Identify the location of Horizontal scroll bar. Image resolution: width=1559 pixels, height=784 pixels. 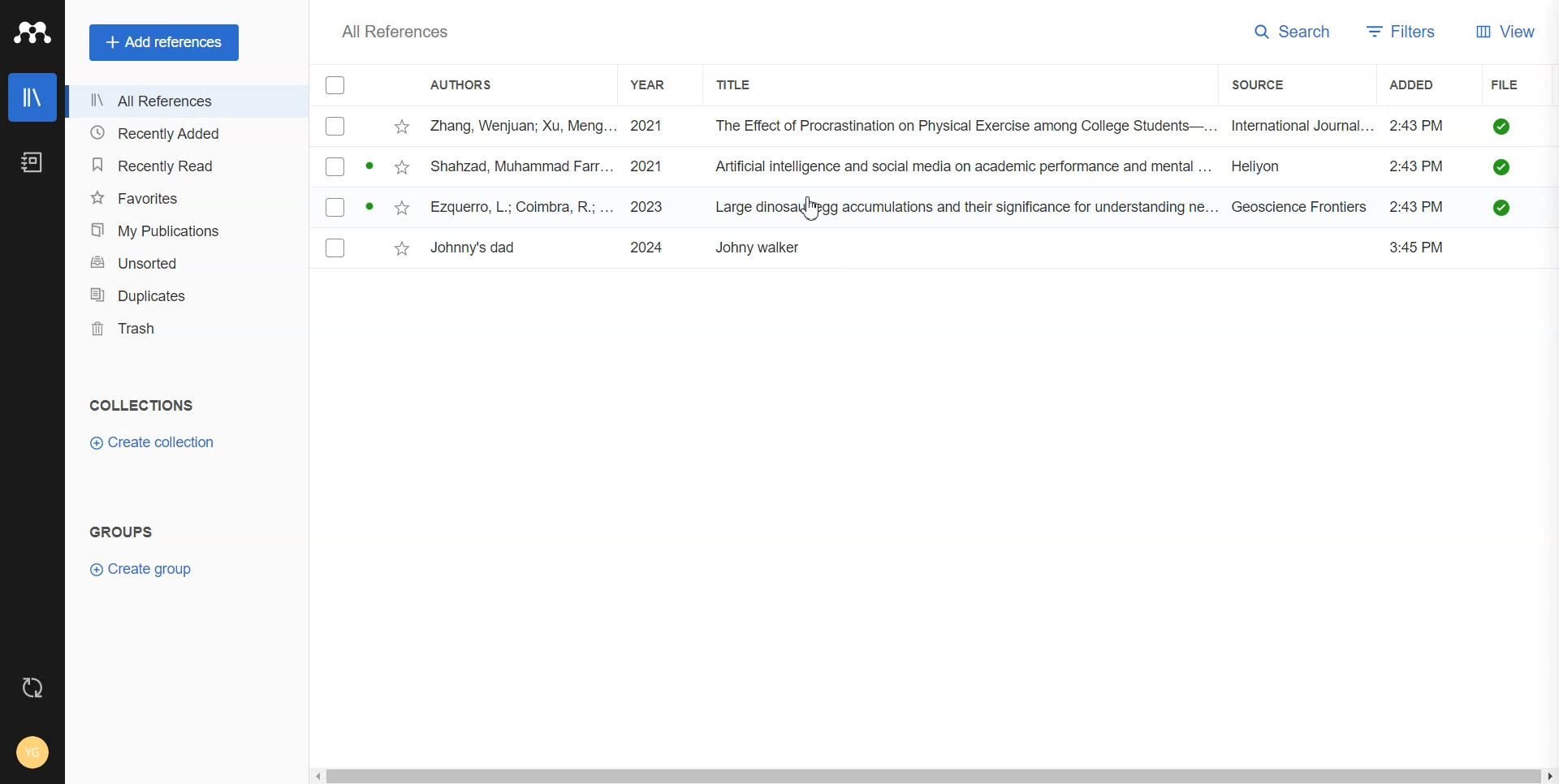
(931, 776).